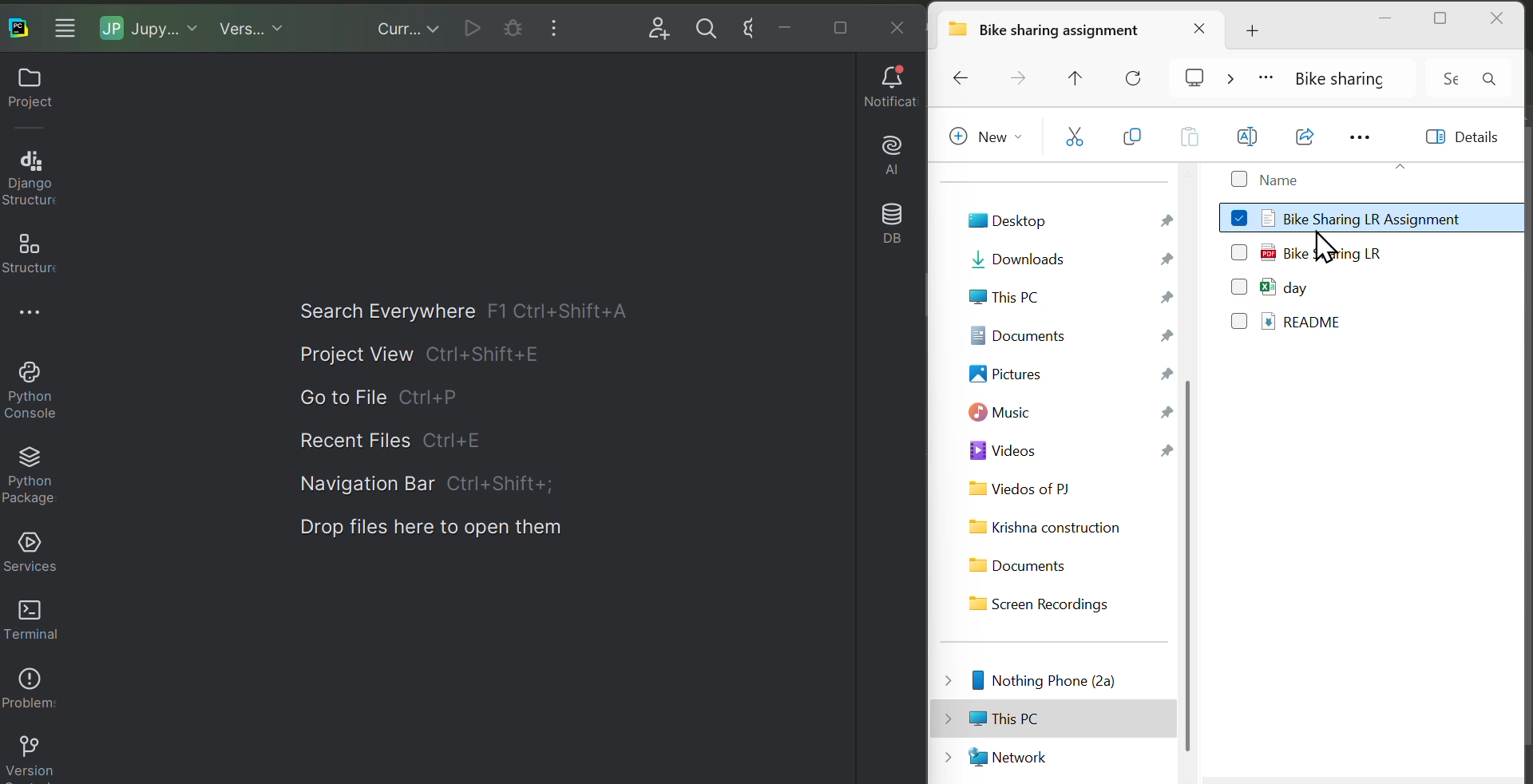  What do you see at coordinates (1239, 285) in the screenshot?
I see `Checkbox` at bounding box center [1239, 285].